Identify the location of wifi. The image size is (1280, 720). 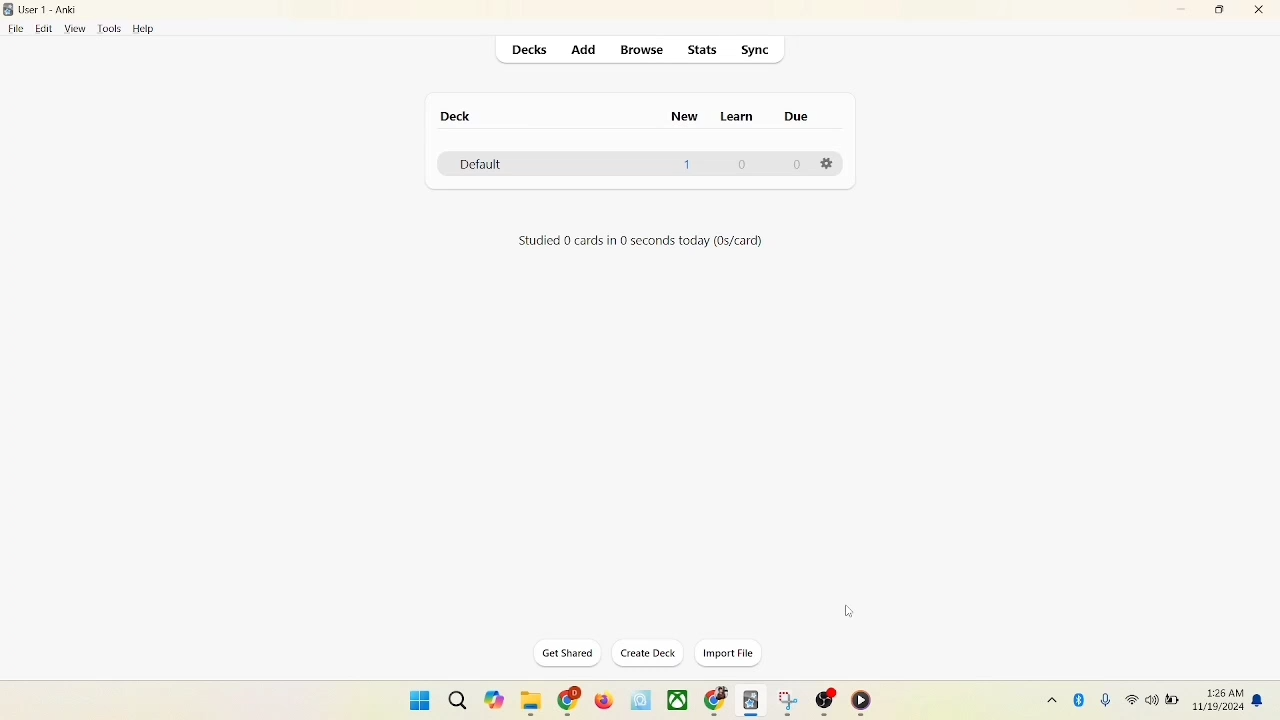
(1130, 699).